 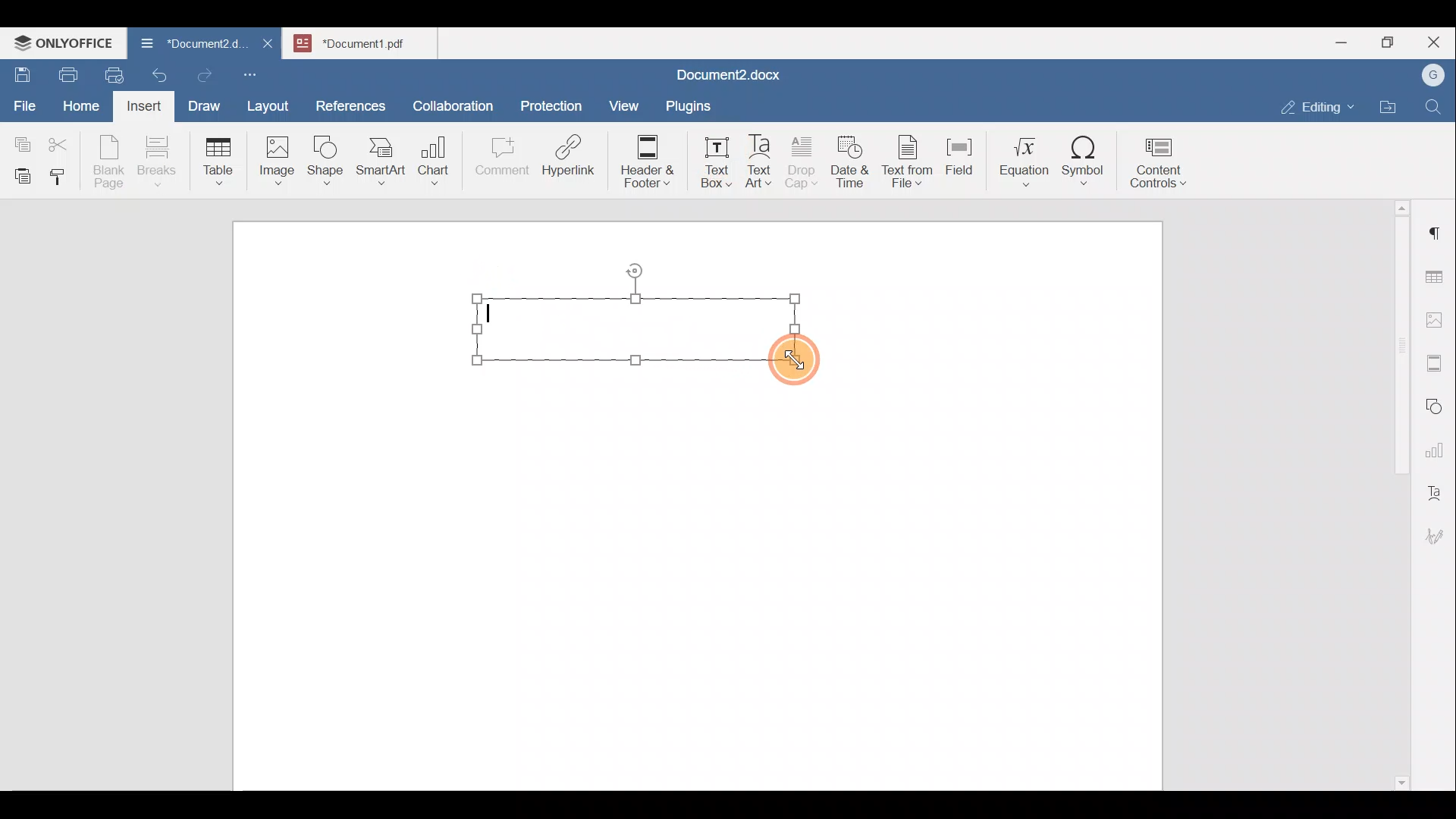 What do you see at coordinates (792, 359) in the screenshot?
I see `Cursor` at bounding box center [792, 359].